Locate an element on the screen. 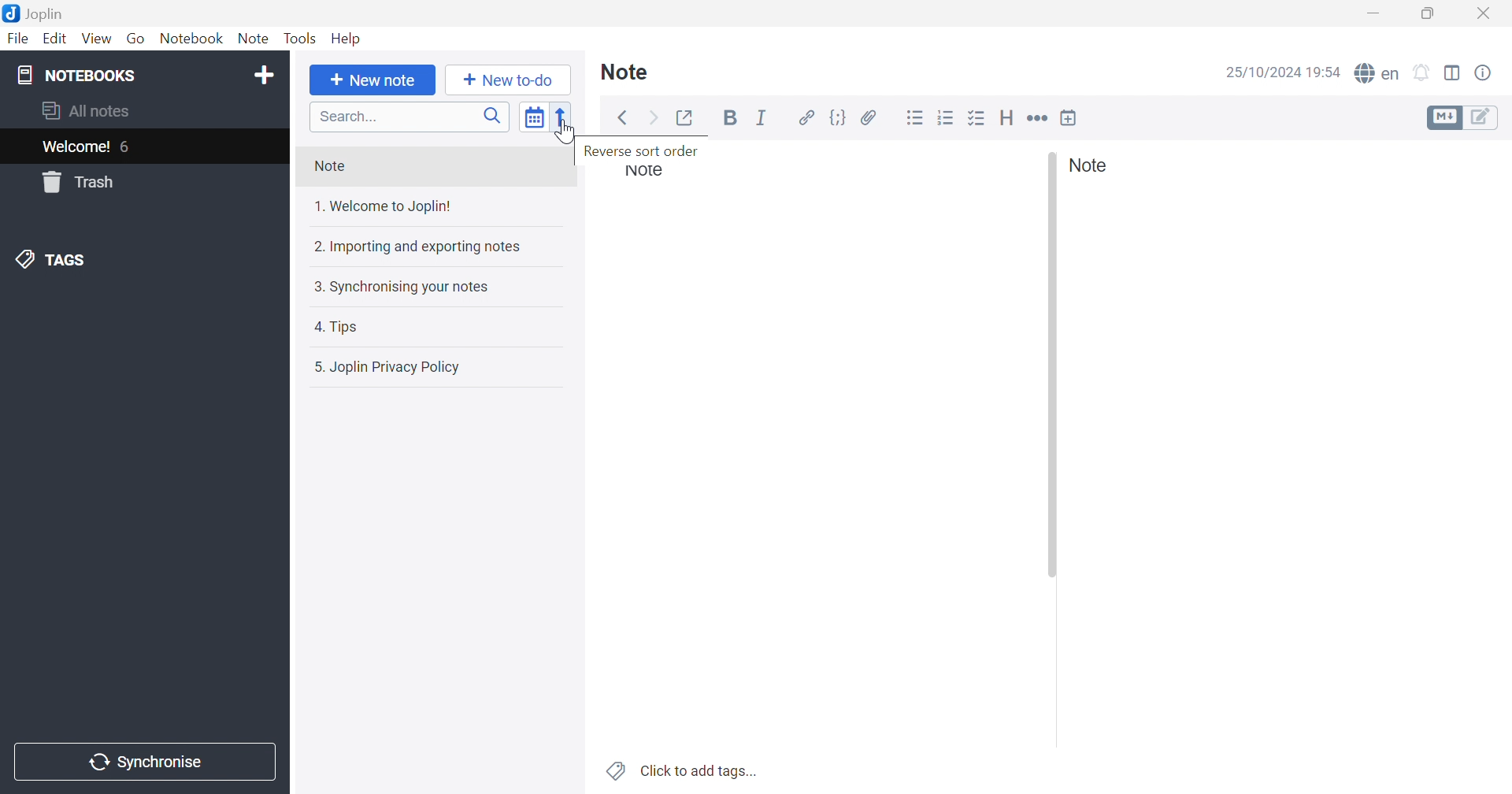 The width and height of the screenshot is (1512, 794). + New note is located at coordinates (372, 82).